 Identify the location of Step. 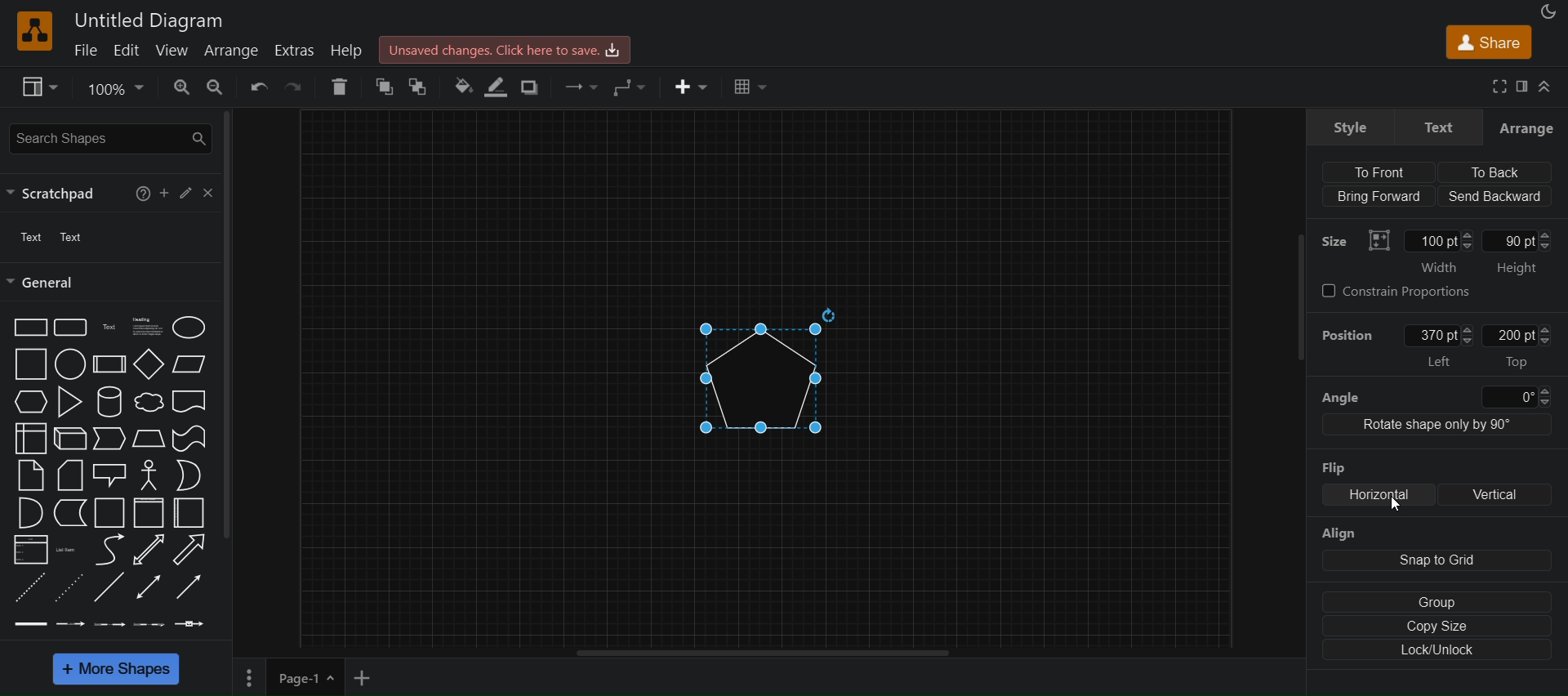
(109, 439).